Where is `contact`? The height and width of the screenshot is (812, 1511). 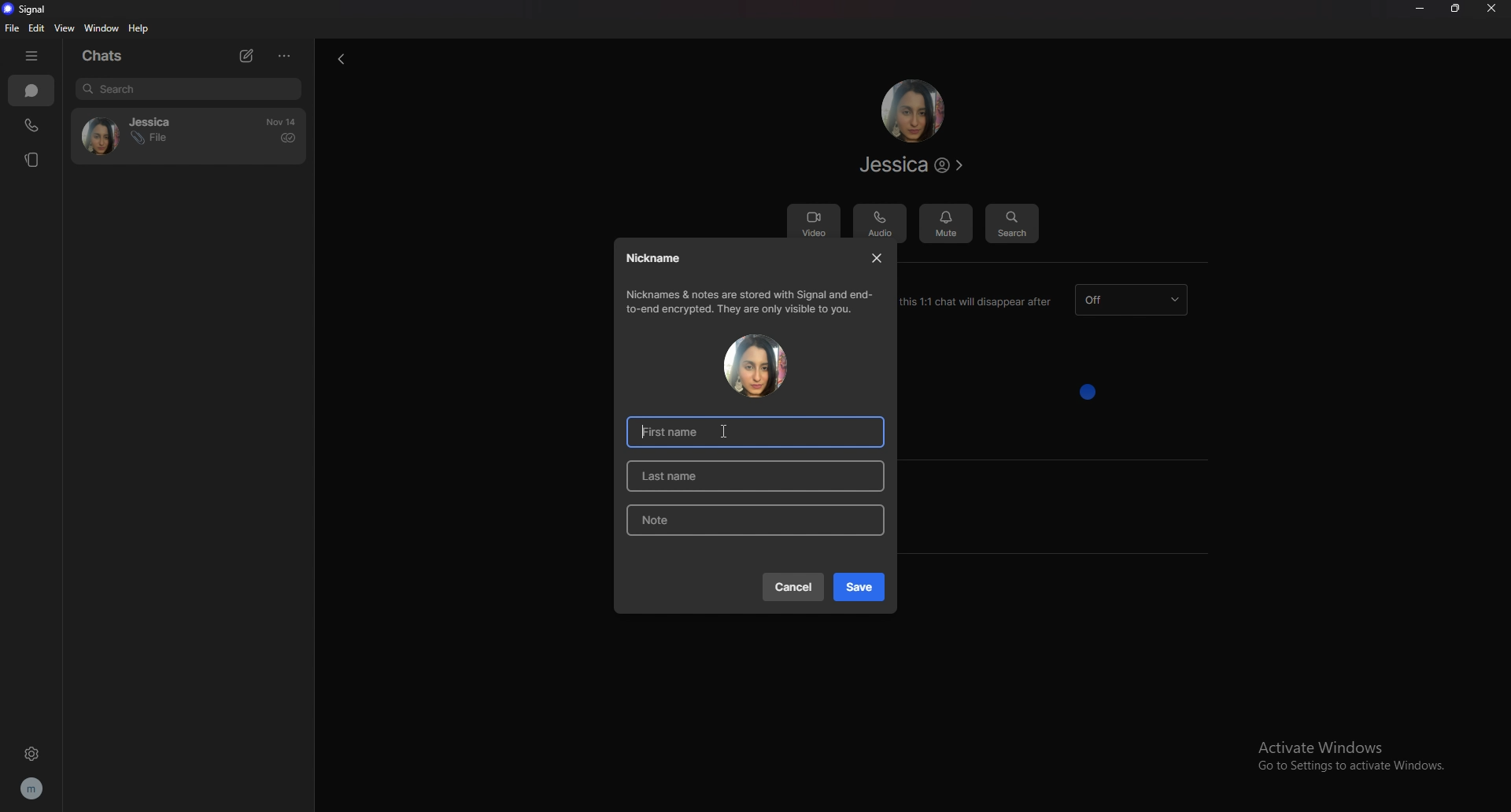 contact is located at coordinates (136, 134).